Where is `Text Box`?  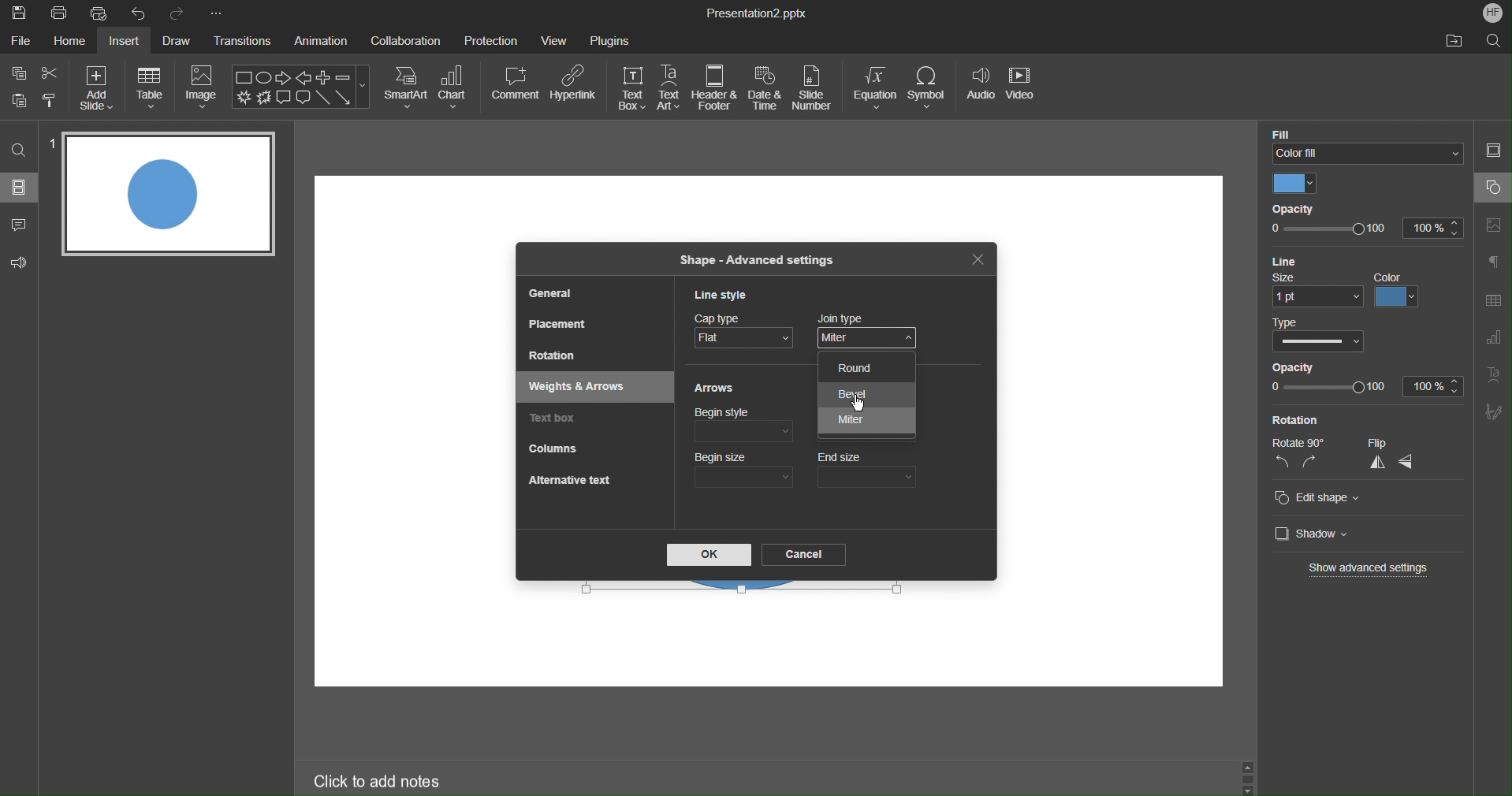 Text Box is located at coordinates (631, 88).